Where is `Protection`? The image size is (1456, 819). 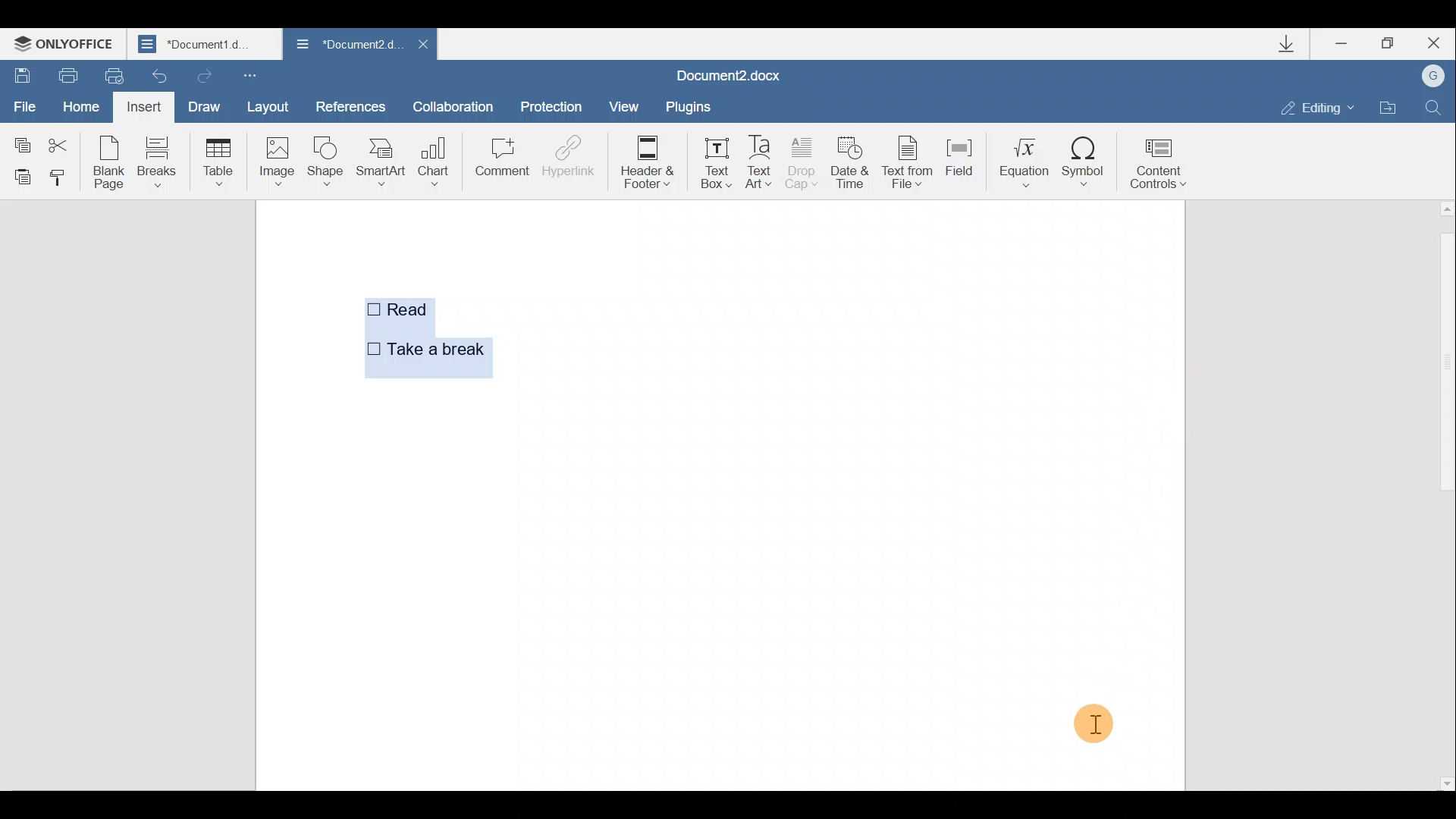
Protection is located at coordinates (554, 101).